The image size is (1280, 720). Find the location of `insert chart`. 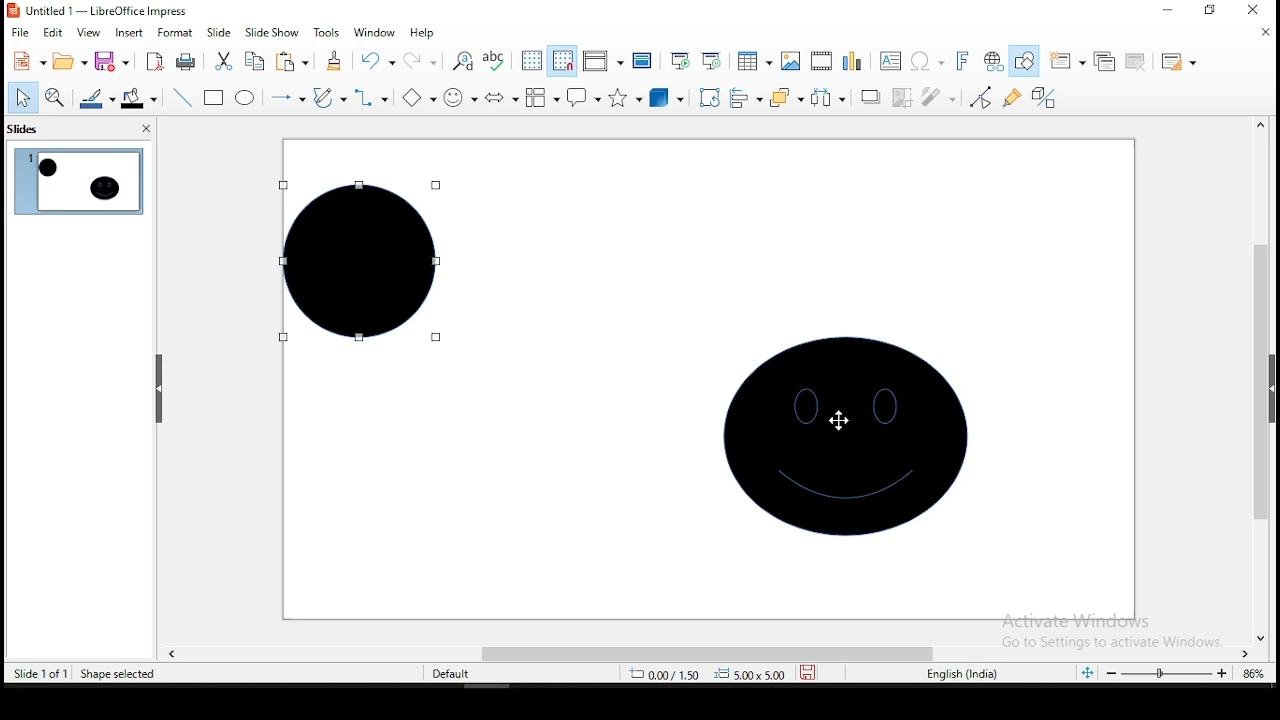

insert chart is located at coordinates (852, 60).